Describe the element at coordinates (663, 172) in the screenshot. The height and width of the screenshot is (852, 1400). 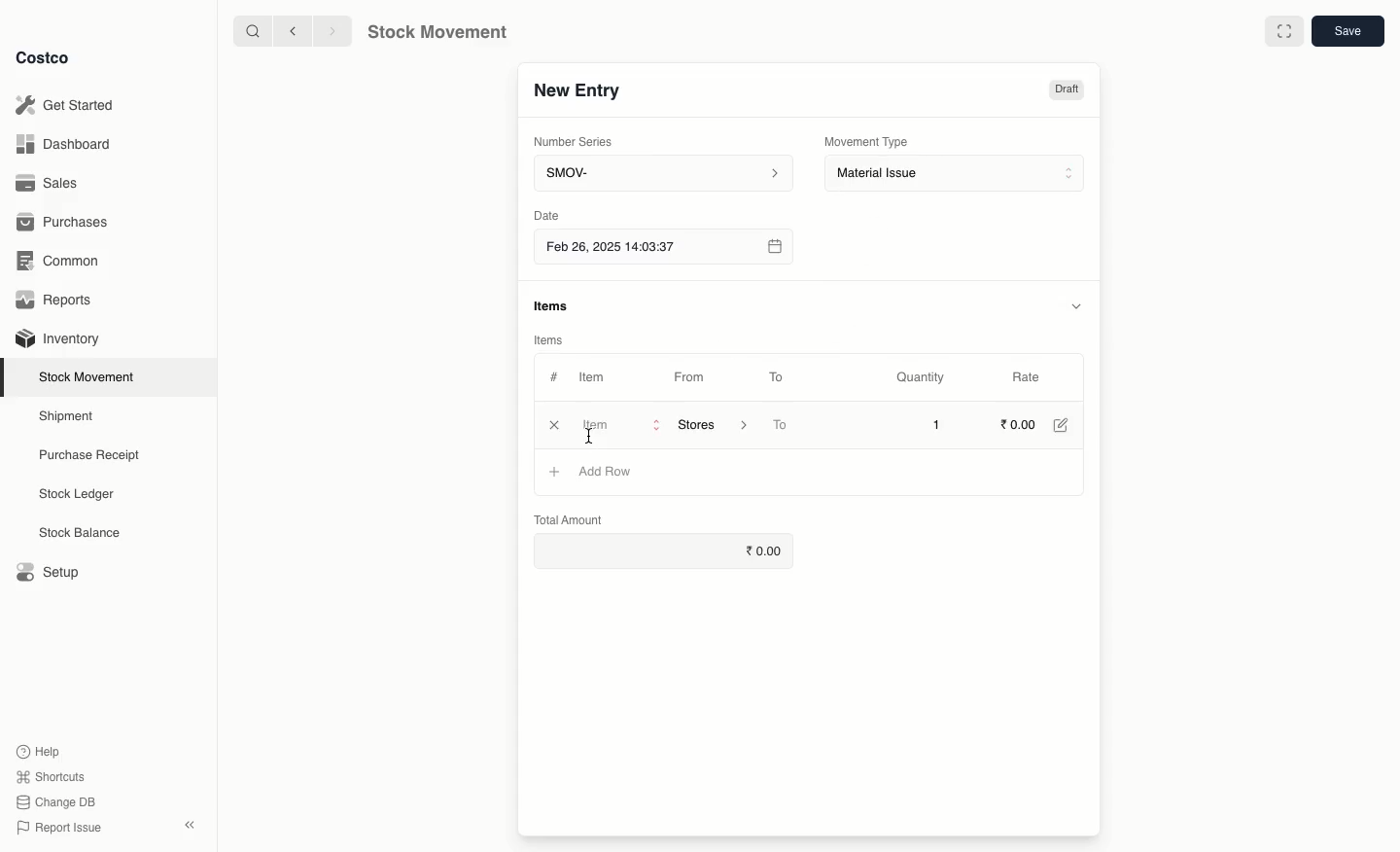
I see `SMOV-` at that location.